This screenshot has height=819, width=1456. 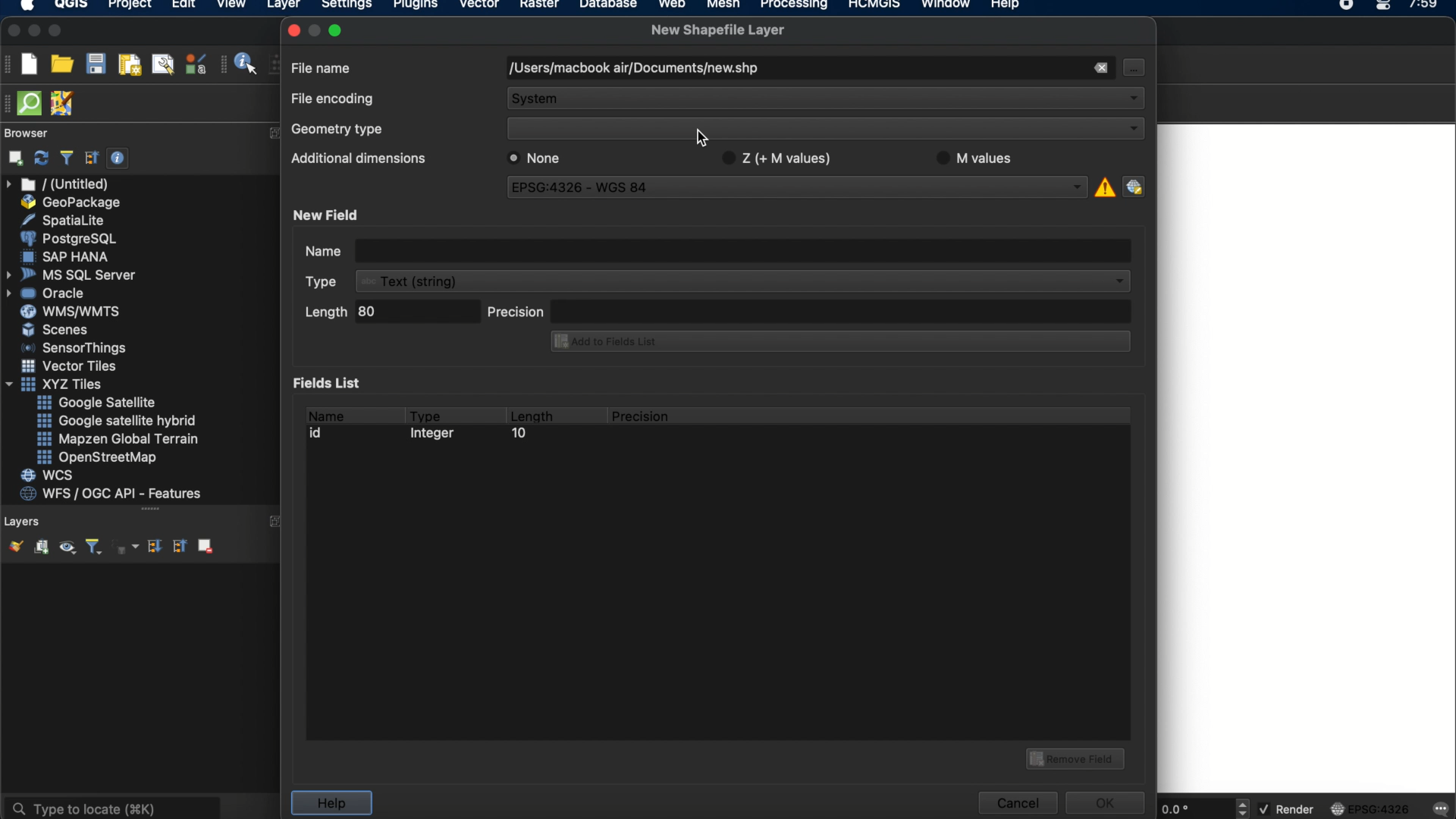 I want to click on JOSM remote, so click(x=64, y=104).